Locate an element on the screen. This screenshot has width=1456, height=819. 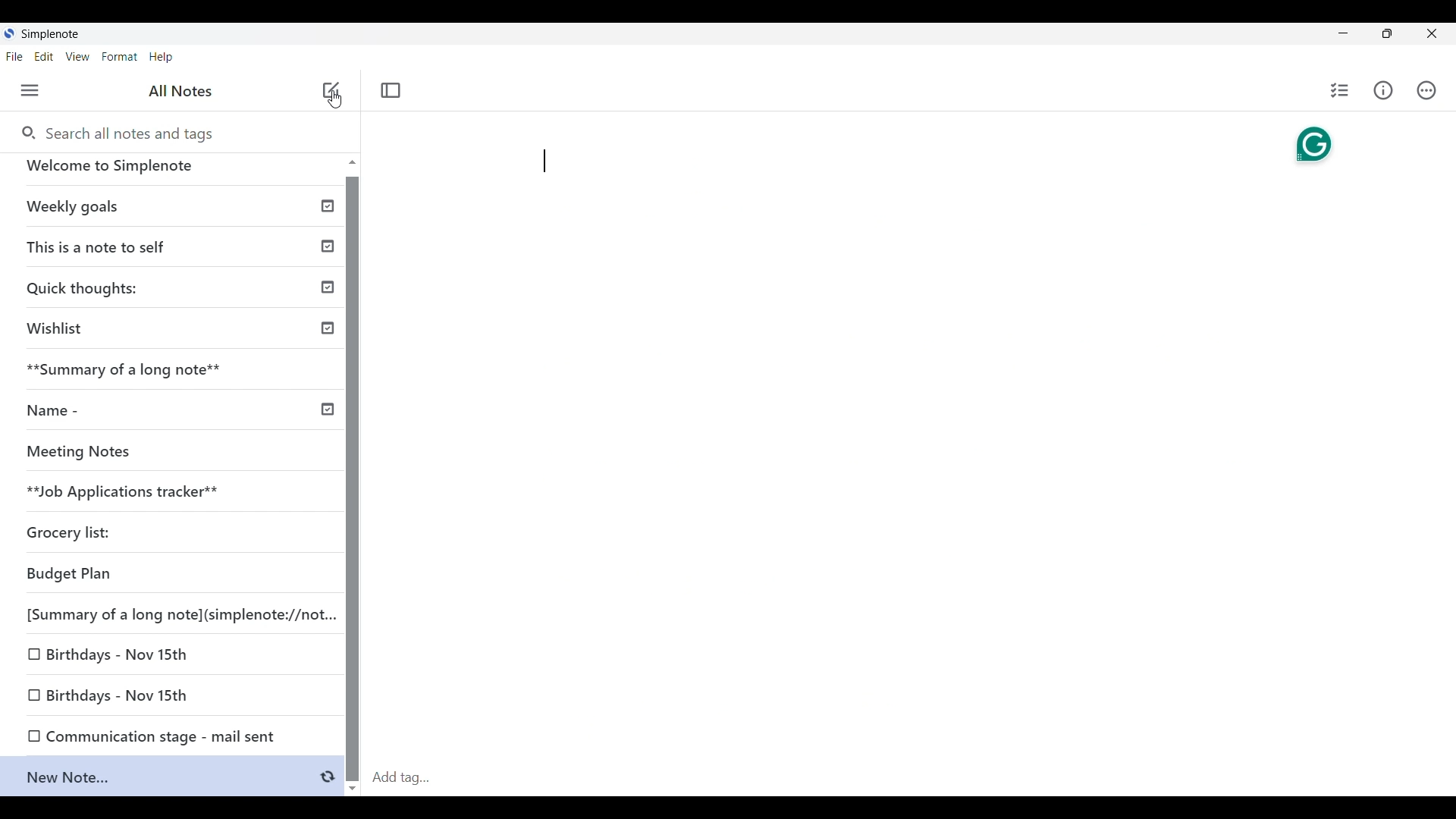
Info is located at coordinates (1383, 90).